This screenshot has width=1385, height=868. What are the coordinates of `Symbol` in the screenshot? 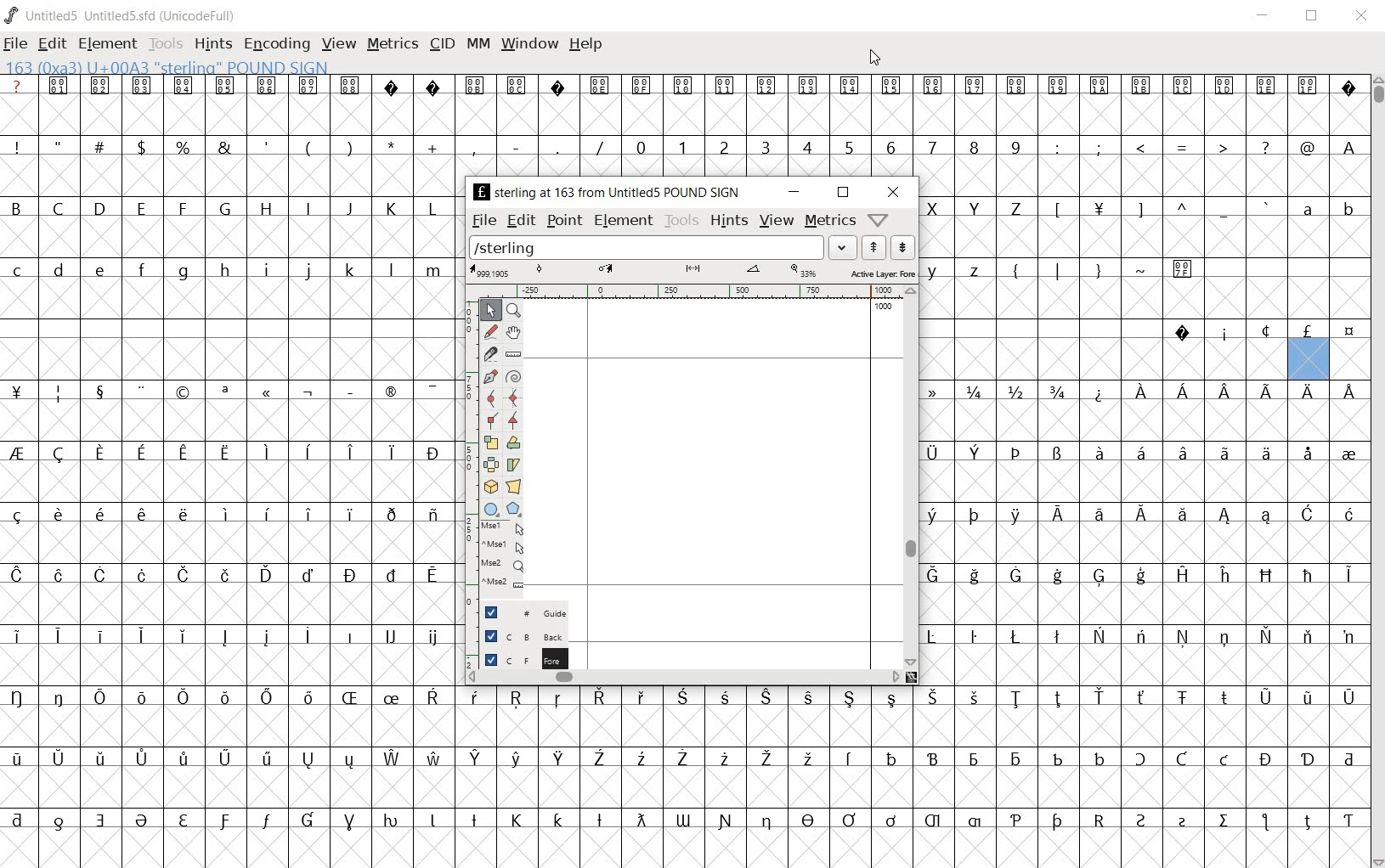 It's located at (975, 636).